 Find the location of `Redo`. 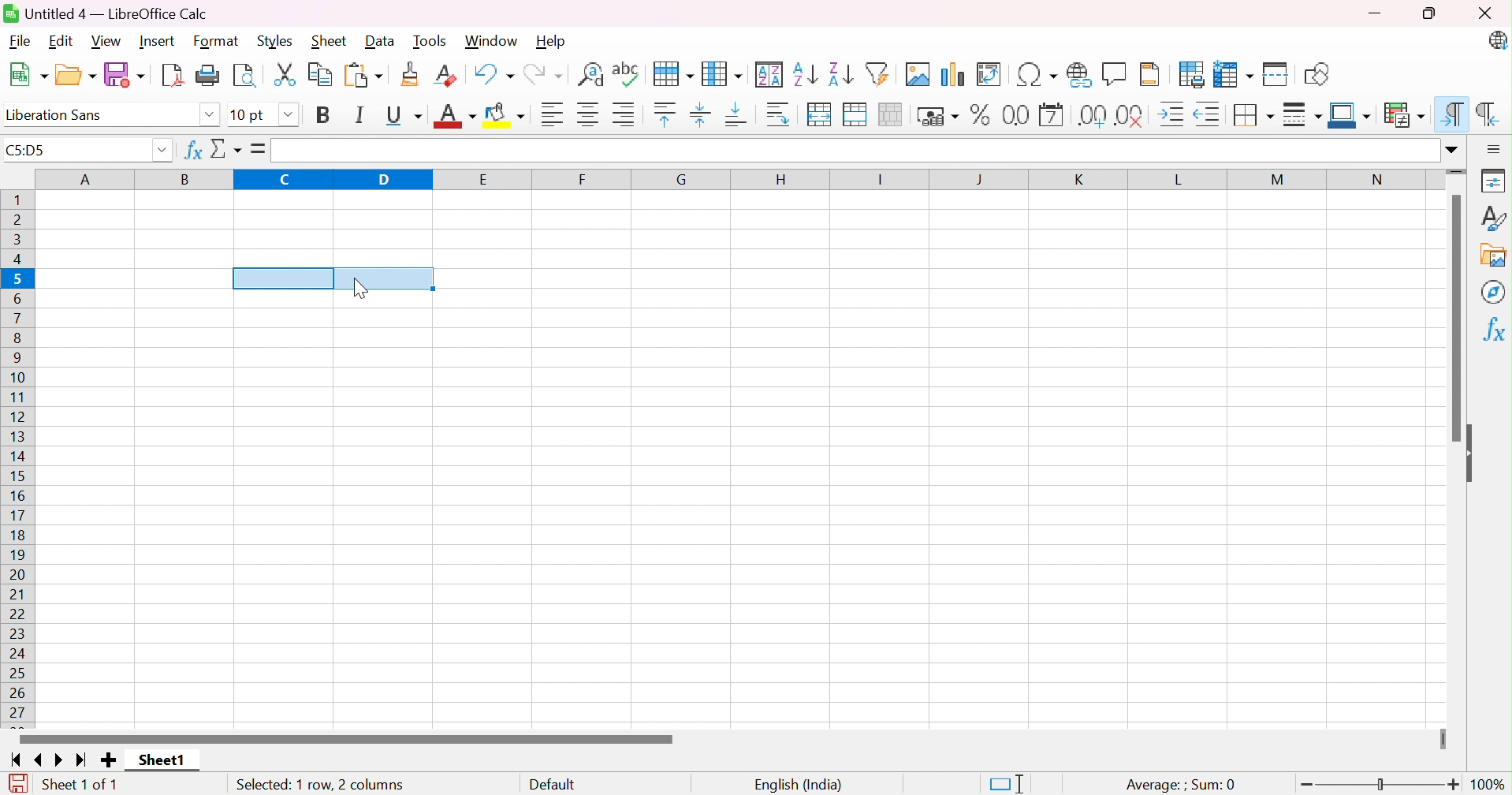

Redo is located at coordinates (546, 73).